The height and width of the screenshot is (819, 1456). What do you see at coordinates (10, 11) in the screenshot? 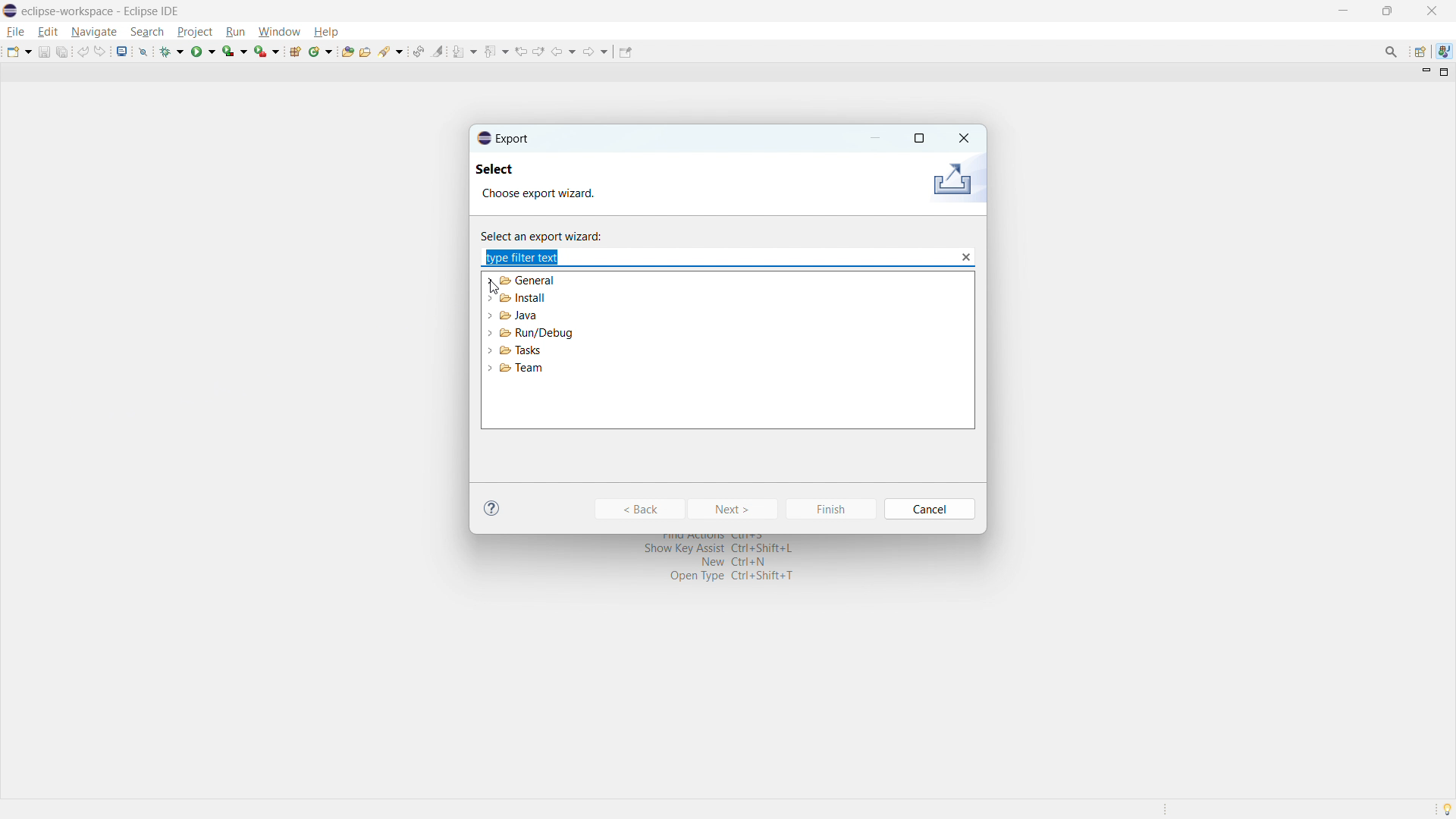
I see `logo` at bounding box center [10, 11].